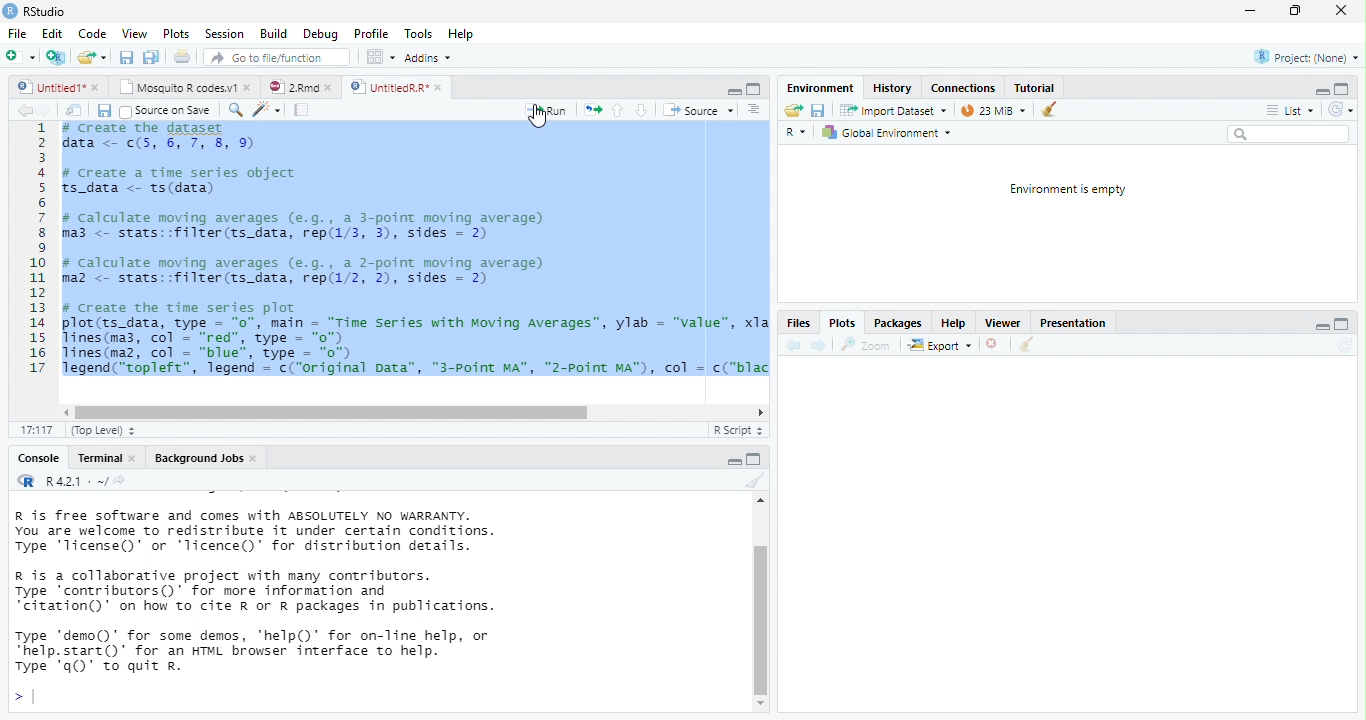 The width and height of the screenshot is (1366, 720). I want to click on Refresh, so click(1345, 345).